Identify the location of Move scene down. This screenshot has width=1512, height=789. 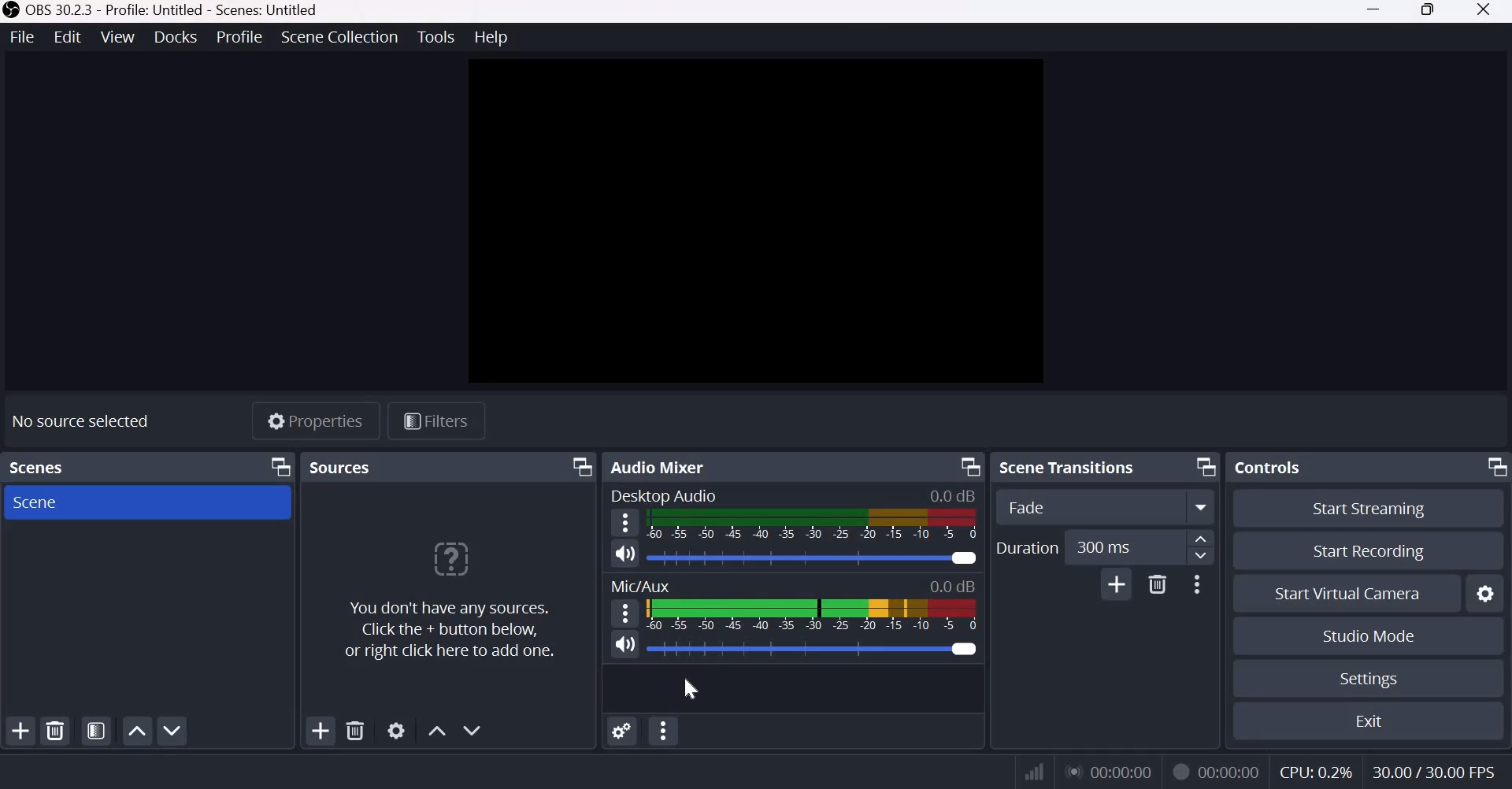
(172, 731).